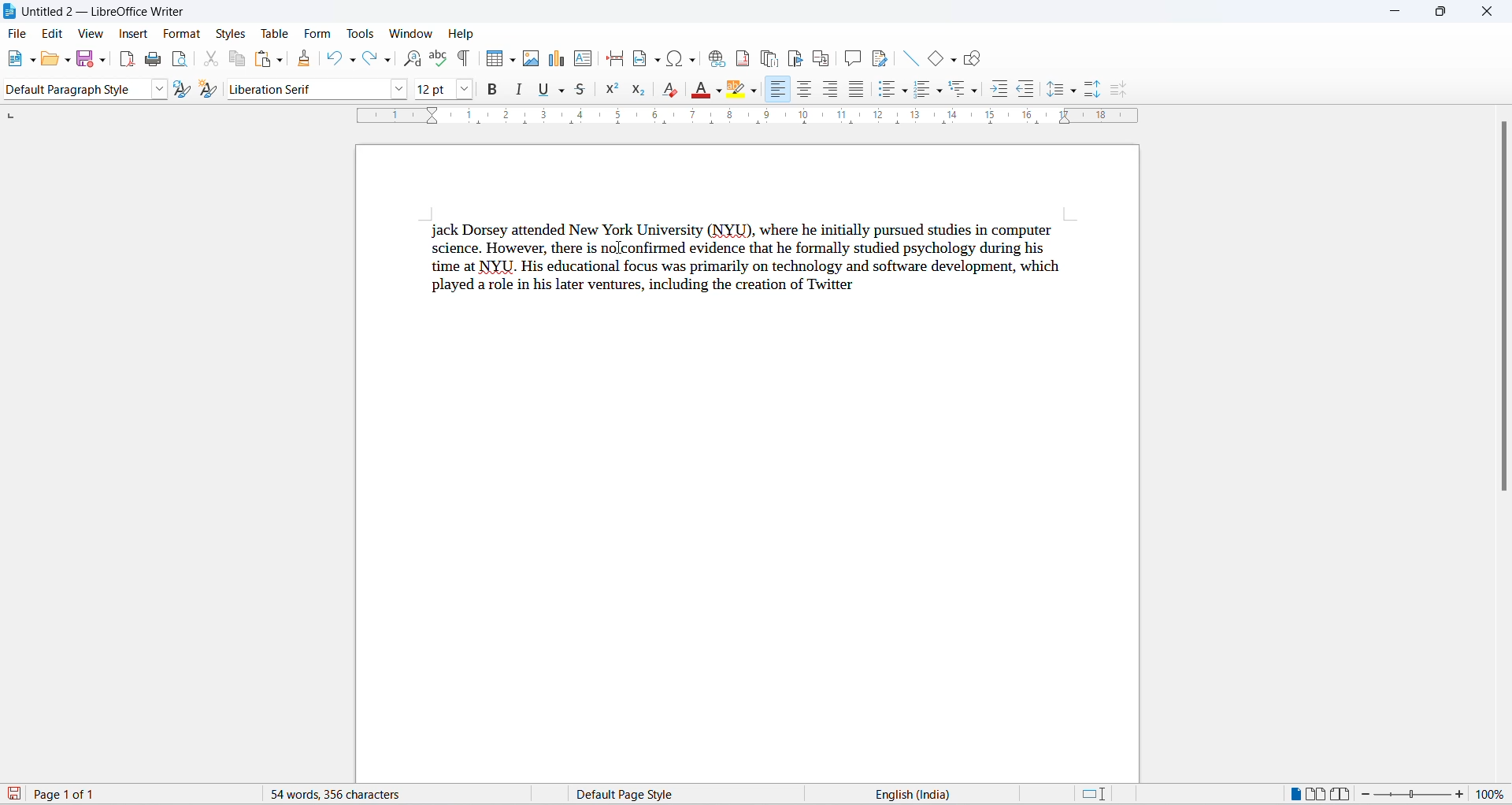  What do you see at coordinates (517, 88) in the screenshot?
I see `italics` at bounding box center [517, 88].